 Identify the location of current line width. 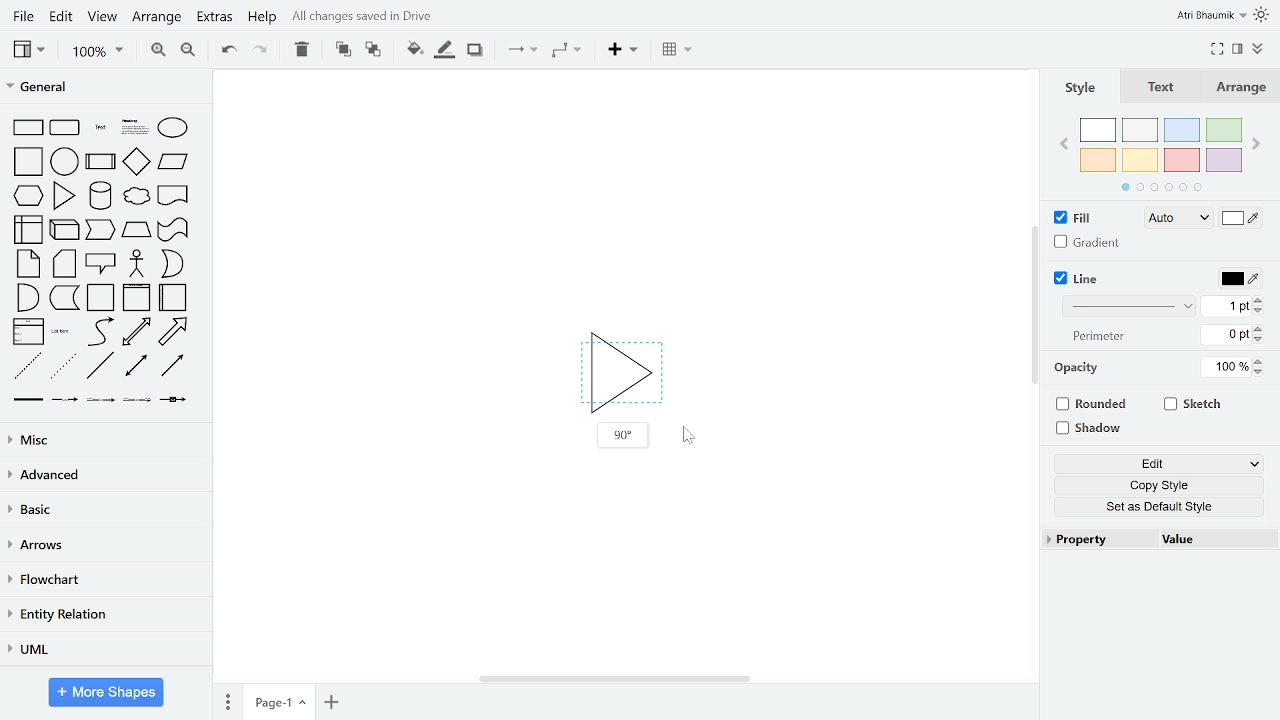
(1226, 307).